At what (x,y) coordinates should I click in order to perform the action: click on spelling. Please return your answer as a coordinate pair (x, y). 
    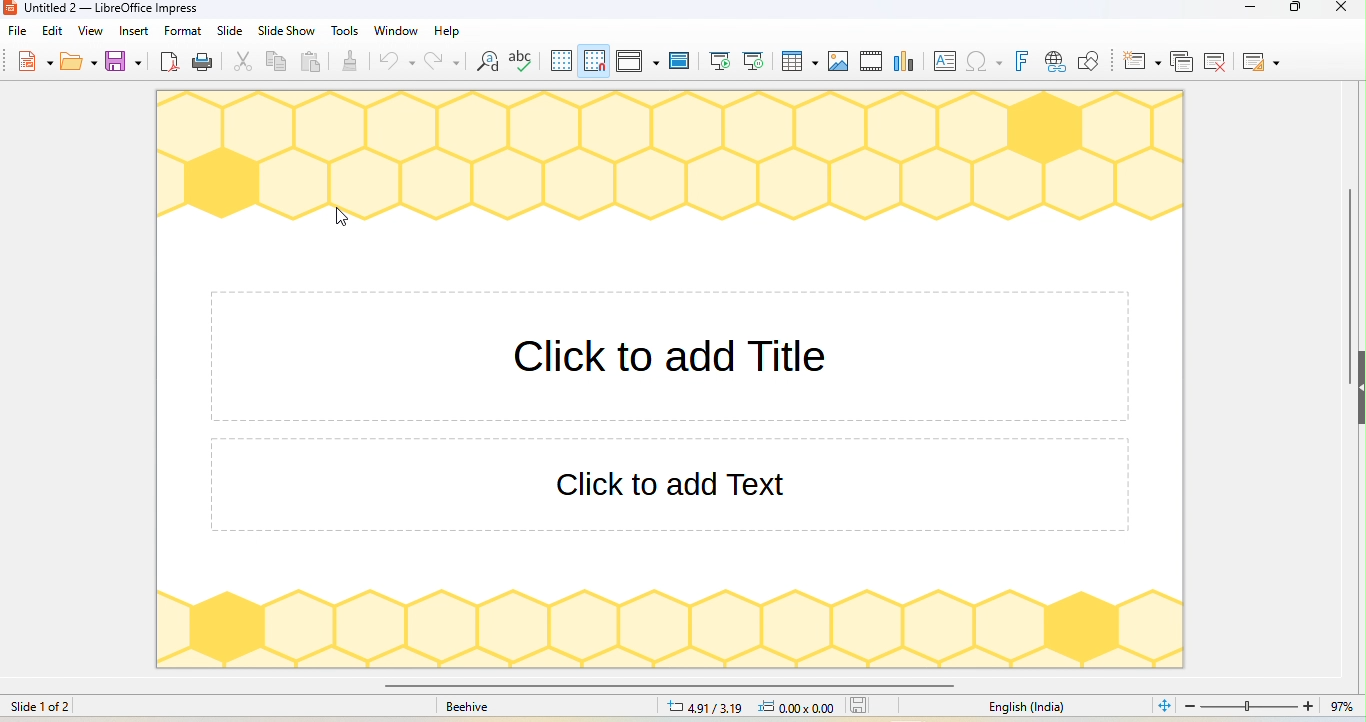
    Looking at the image, I should click on (522, 60).